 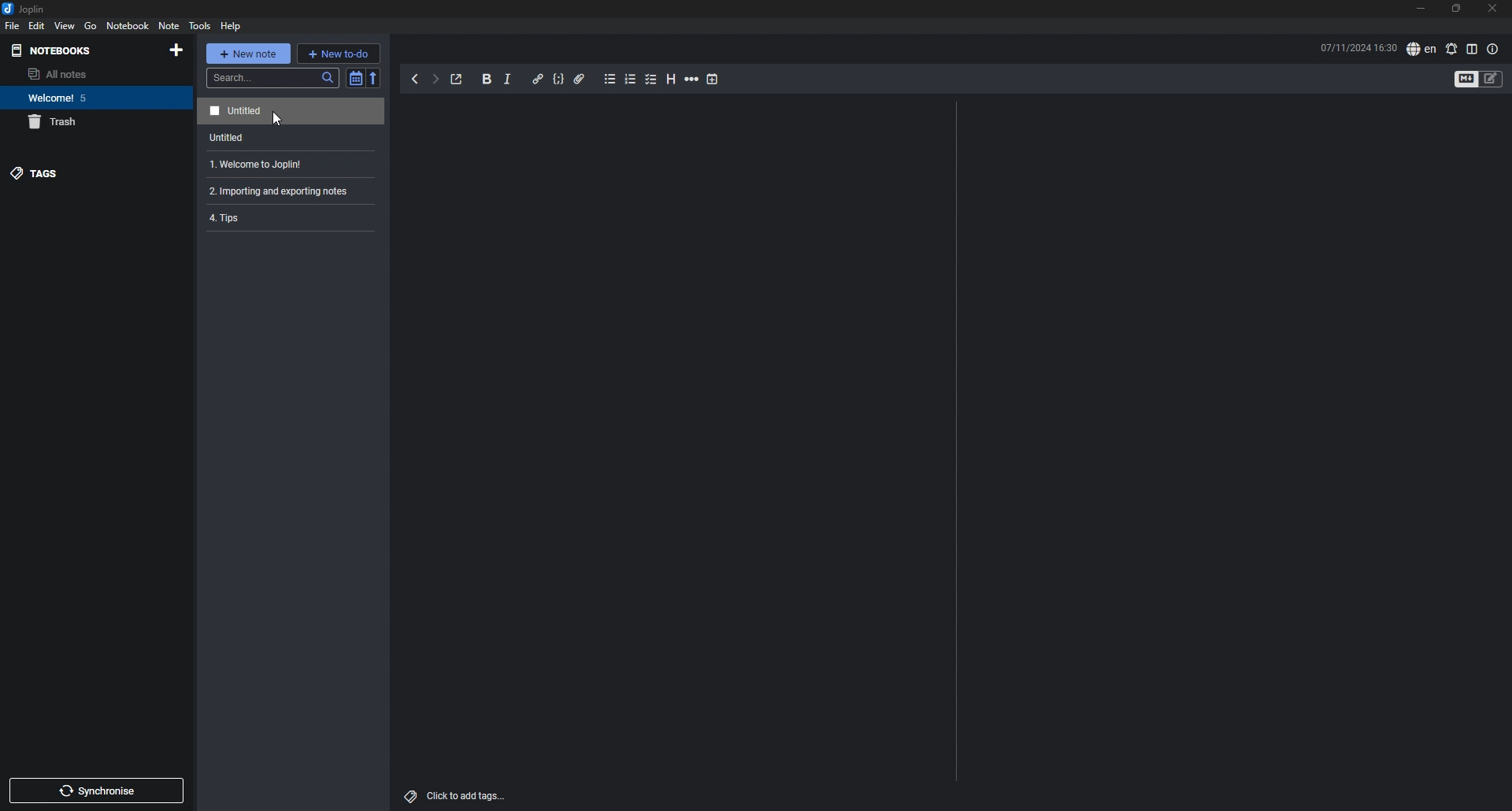 What do you see at coordinates (288, 111) in the screenshot?
I see `note` at bounding box center [288, 111].